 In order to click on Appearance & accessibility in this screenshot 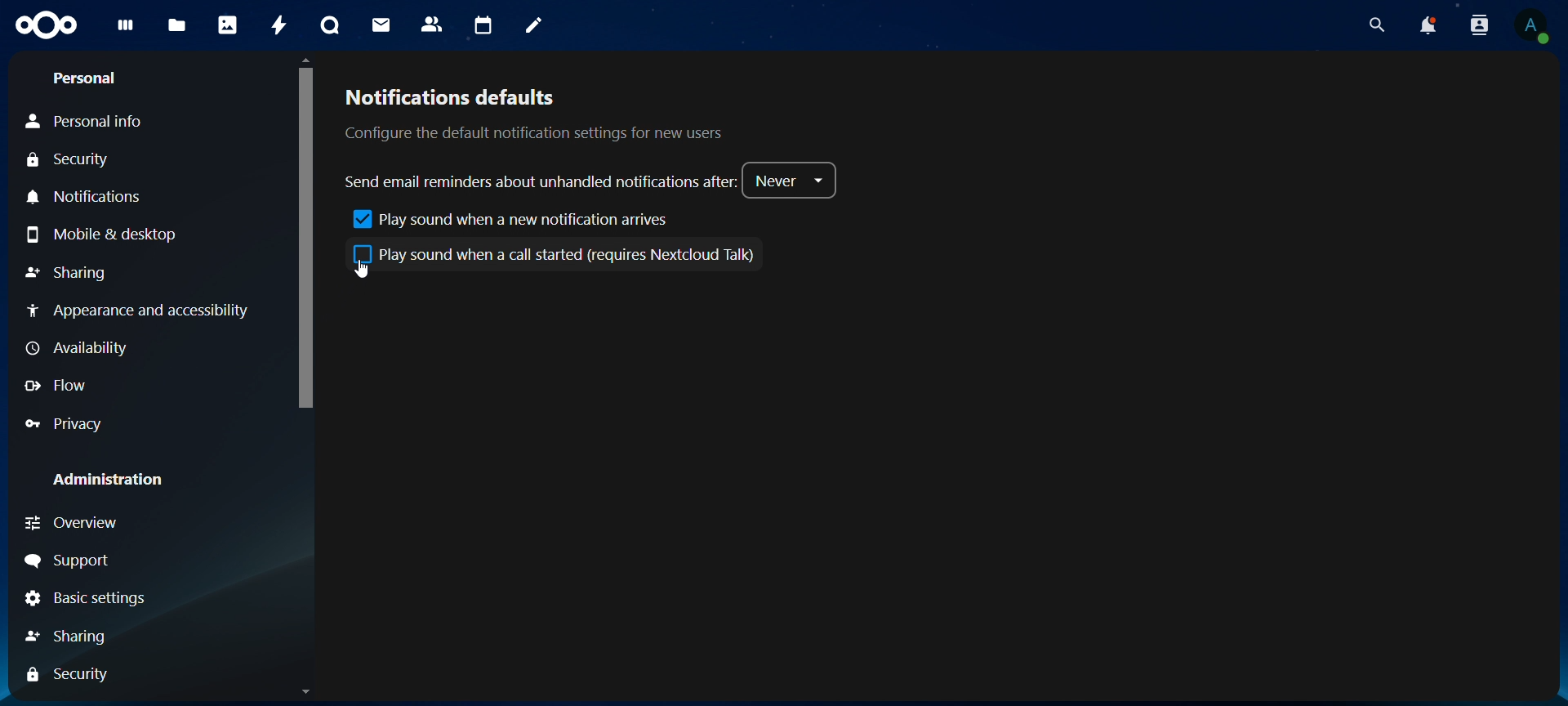, I will do `click(139, 311)`.